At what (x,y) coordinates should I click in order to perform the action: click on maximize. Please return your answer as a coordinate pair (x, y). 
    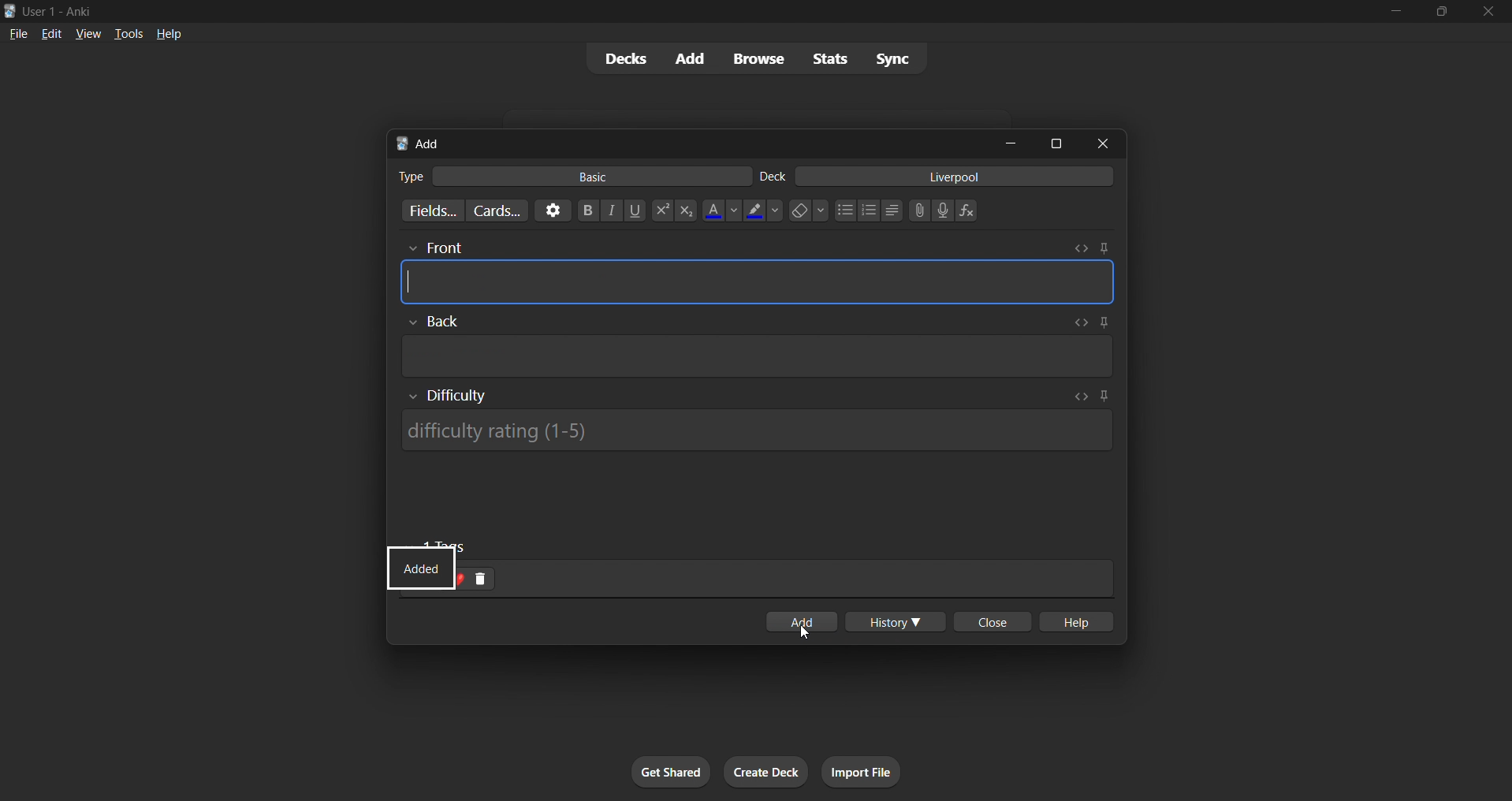
    Looking at the image, I should click on (1057, 142).